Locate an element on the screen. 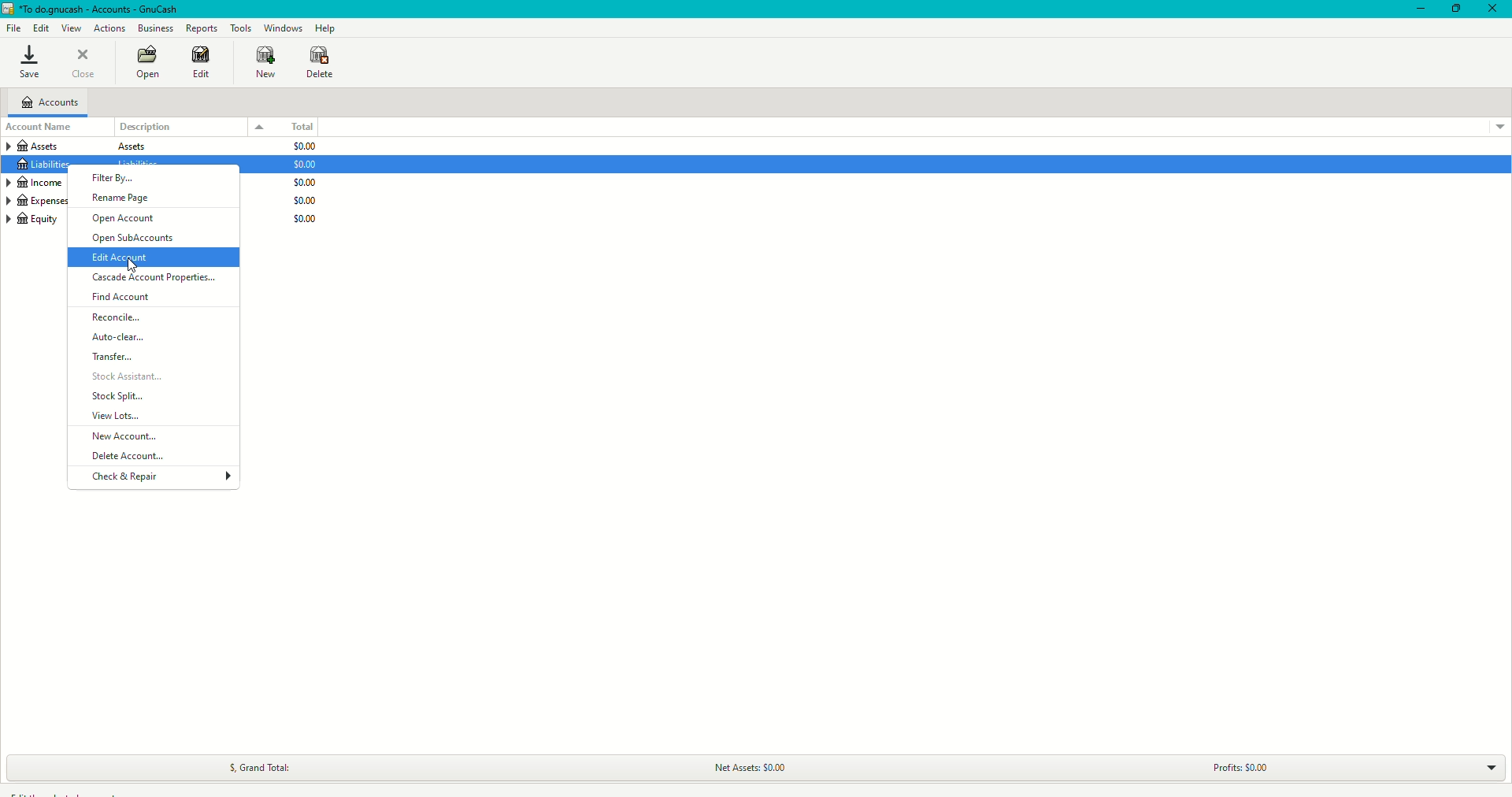 The image size is (1512, 797). Reconcile is located at coordinates (117, 318).